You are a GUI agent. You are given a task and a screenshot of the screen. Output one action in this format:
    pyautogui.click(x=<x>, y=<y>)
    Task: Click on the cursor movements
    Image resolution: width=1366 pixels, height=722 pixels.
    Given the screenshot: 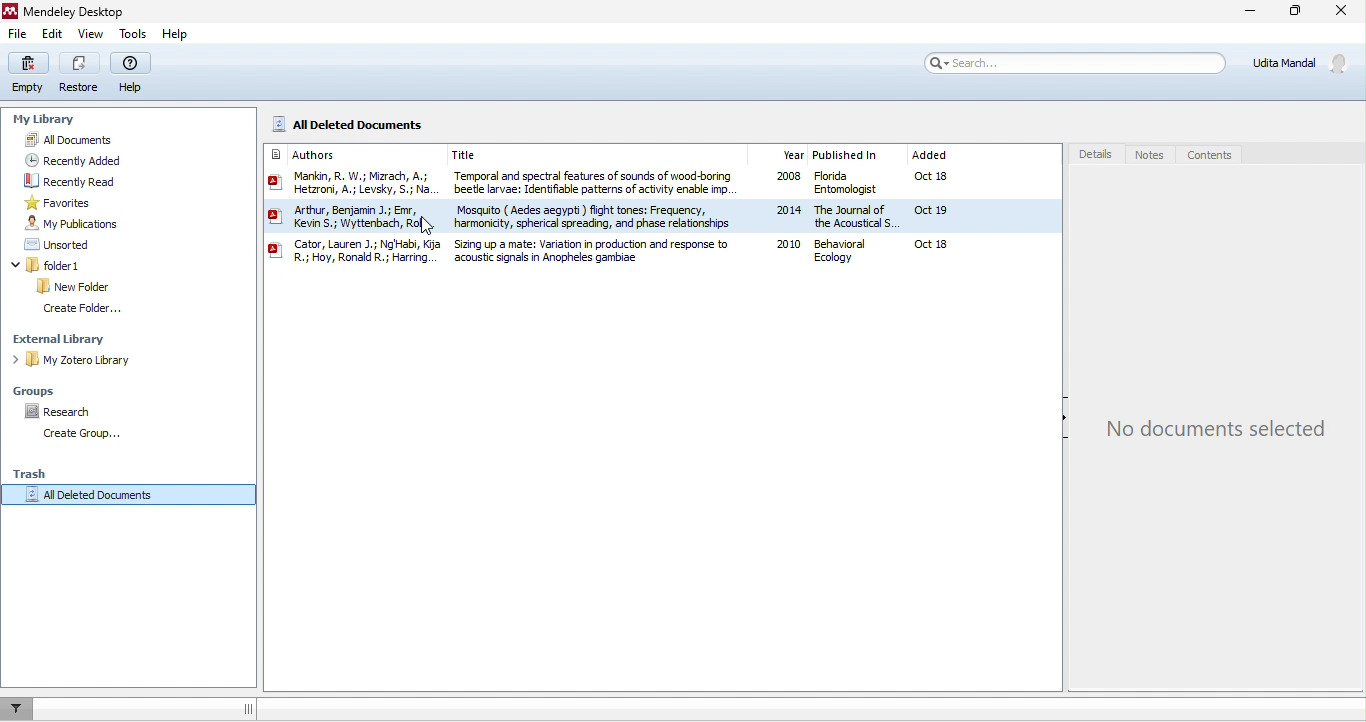 What is the action you would take?
    pyautogui.click(x=438, y=228)
    